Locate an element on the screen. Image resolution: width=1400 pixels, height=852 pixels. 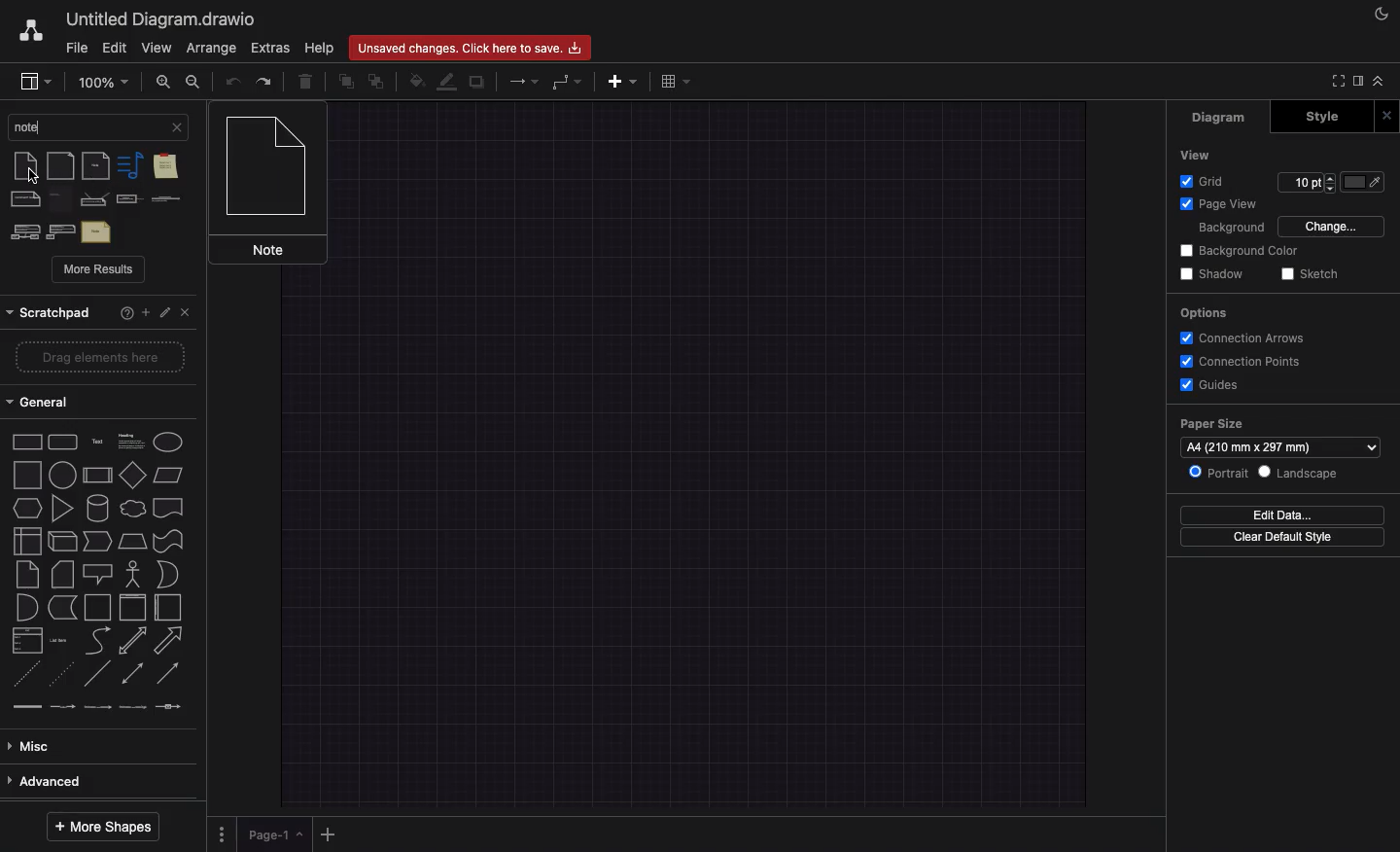
Landscape is located at coordinates (1299, 471).